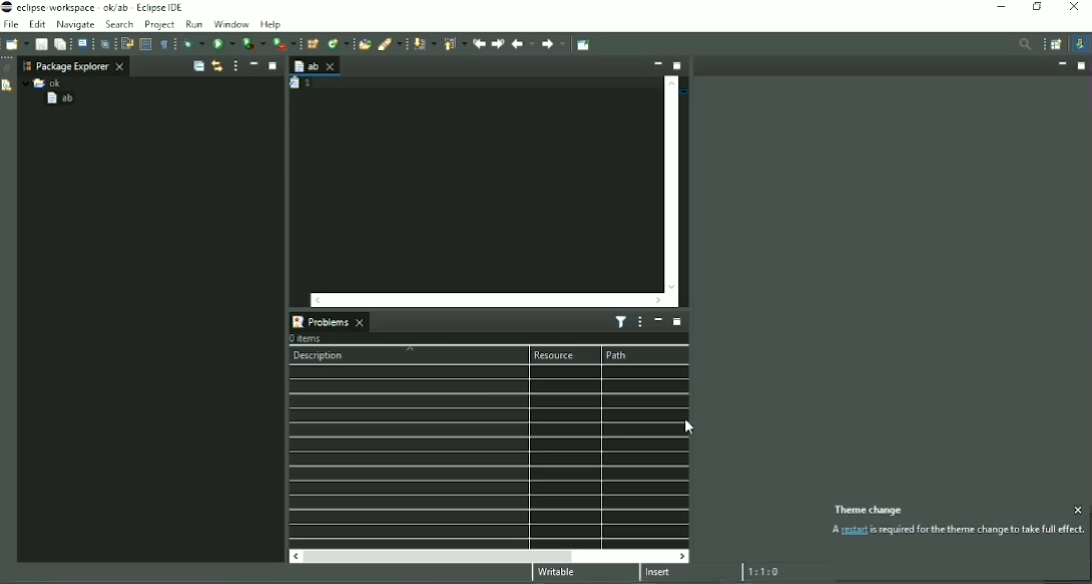 The width and height of the screenshot is (1092, 584). I want to click on Search, so click(121, 25).